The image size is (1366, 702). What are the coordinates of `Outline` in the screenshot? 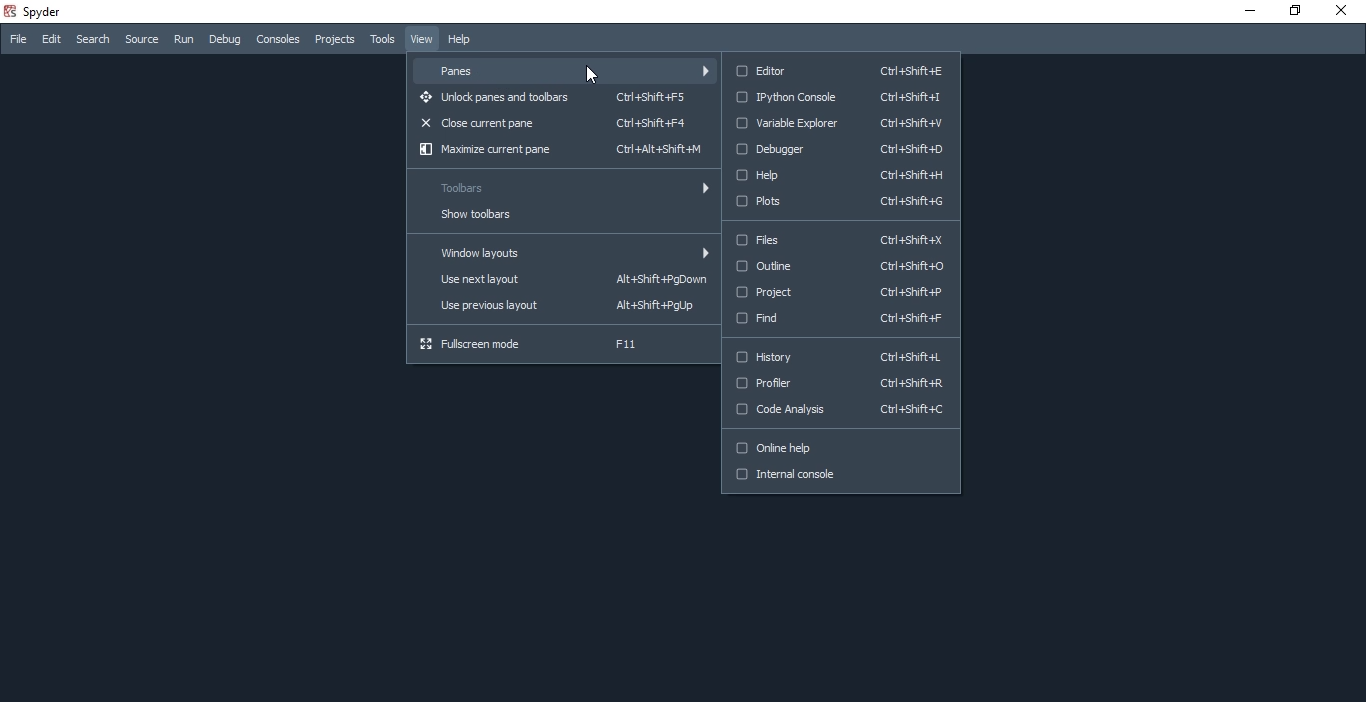 It's located at (845, 264).